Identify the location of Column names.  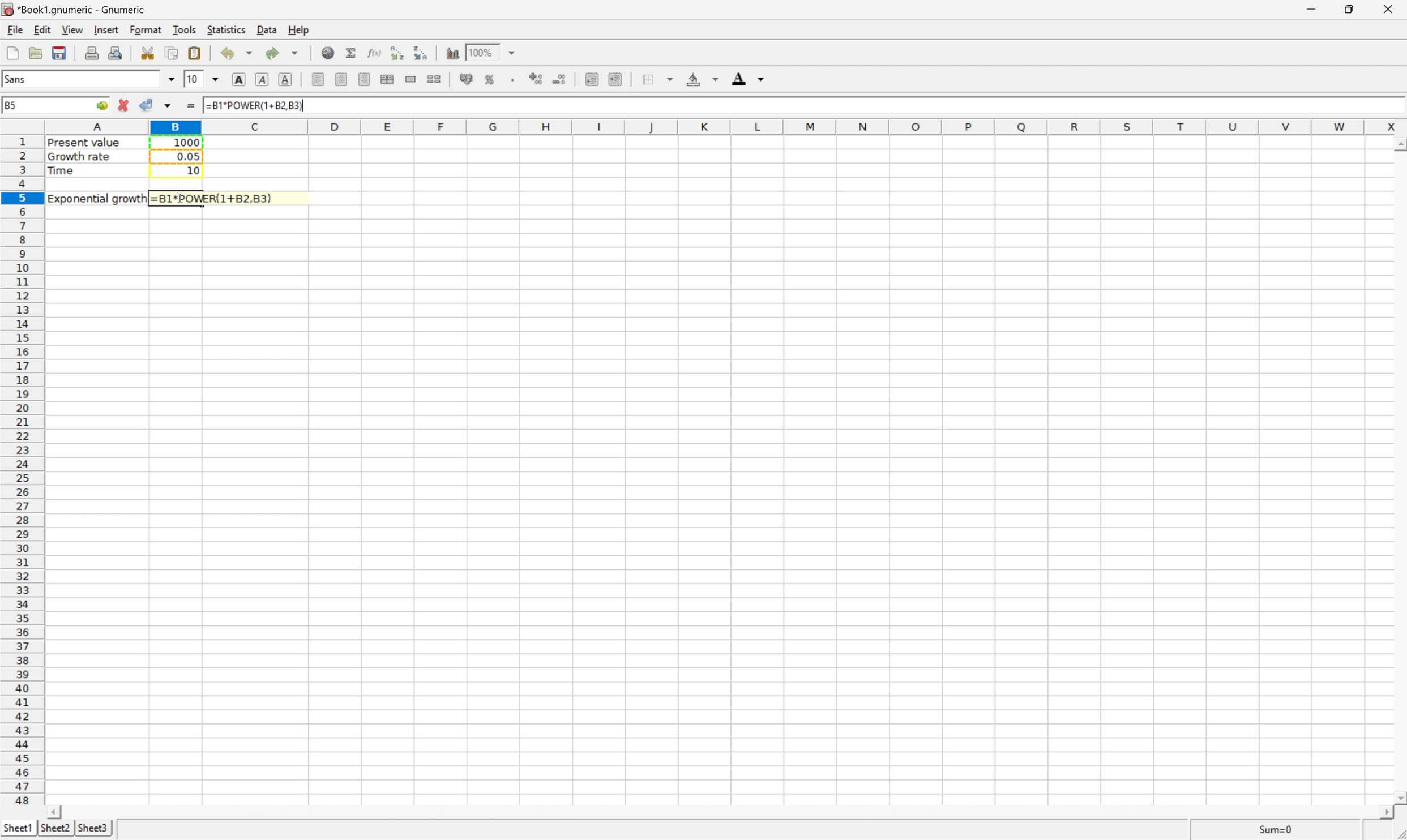
(726, 127).